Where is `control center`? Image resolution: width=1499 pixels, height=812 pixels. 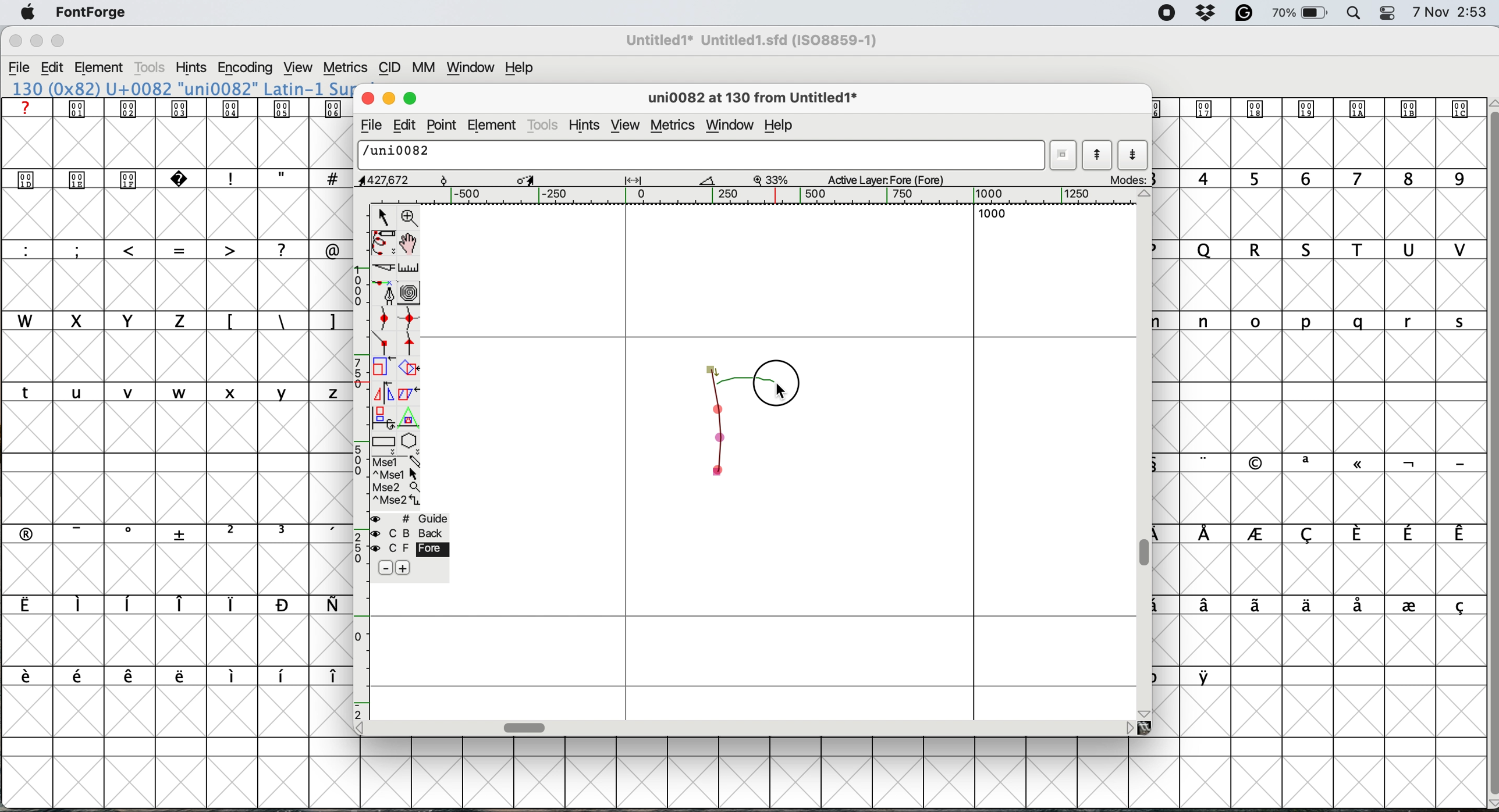 control center is located at coordinates (1391, 12).